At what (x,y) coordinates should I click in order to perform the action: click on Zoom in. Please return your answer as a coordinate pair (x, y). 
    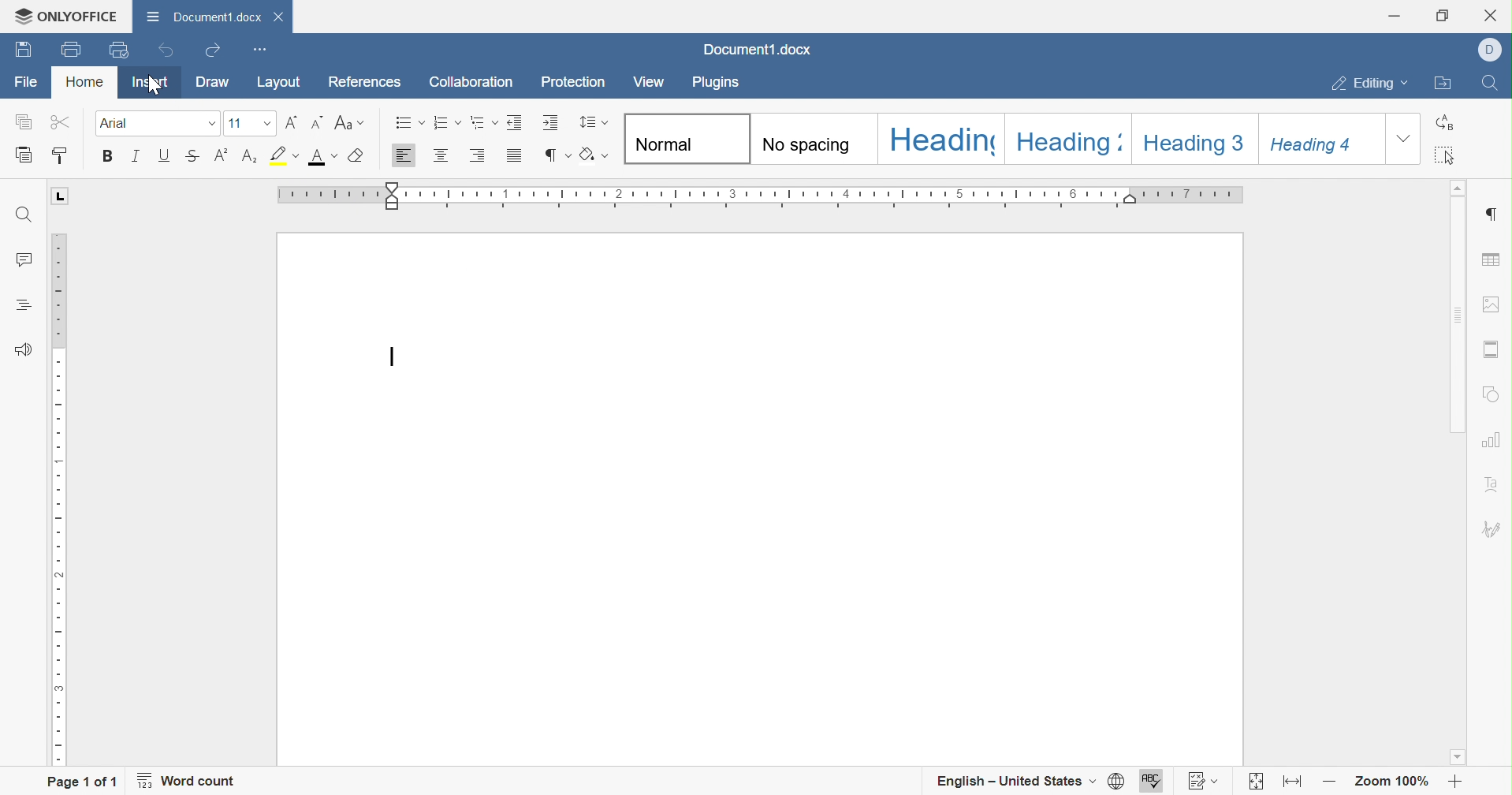
    Looking at the image, I should click on (1455, 782).